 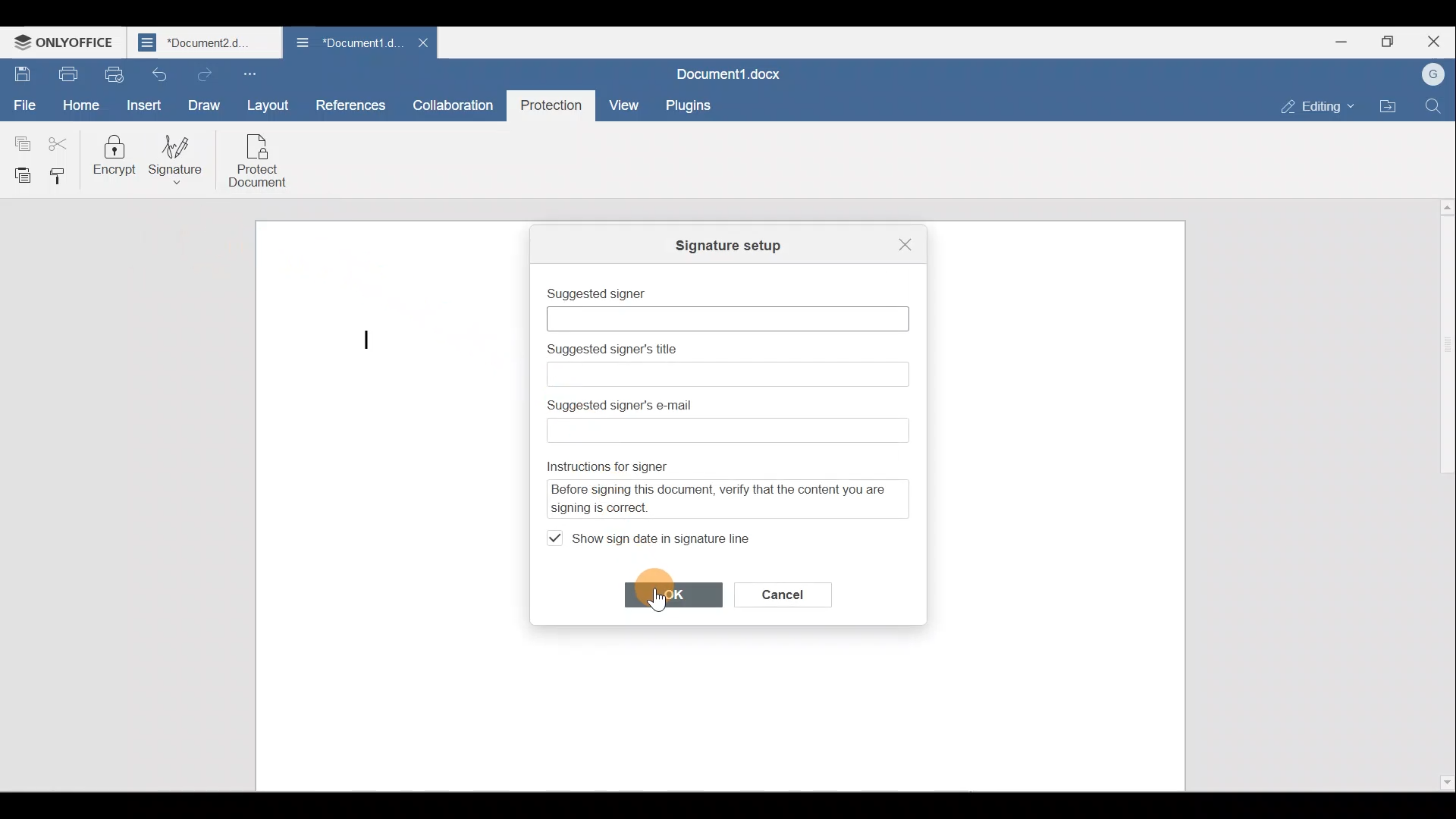 What do you see at coordinates (674, 593) in the screenshot?
I see `OK` at bounding box center [674, 593].